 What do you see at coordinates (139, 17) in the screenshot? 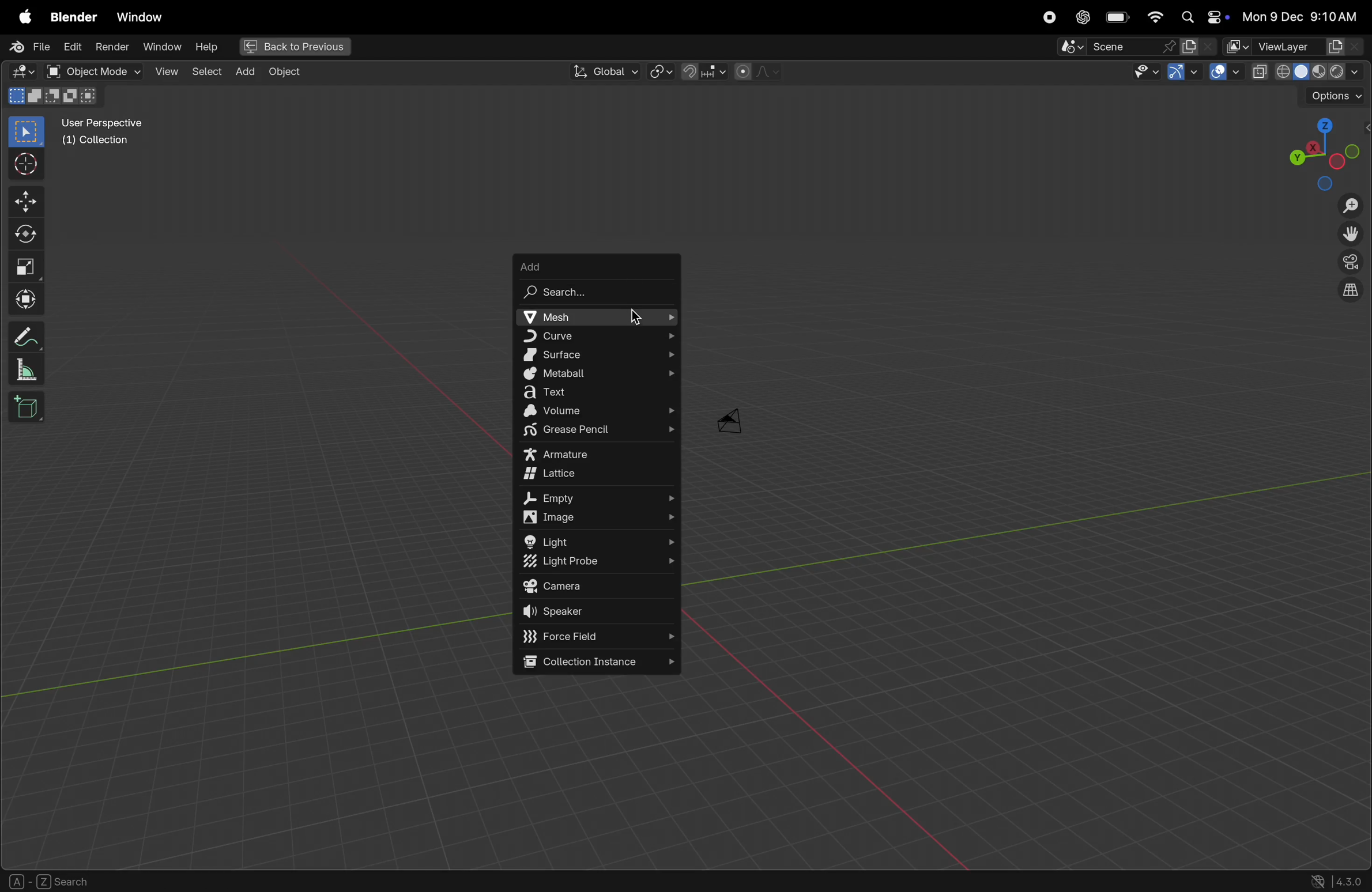
I see `window` at bounding box center [139, 17].